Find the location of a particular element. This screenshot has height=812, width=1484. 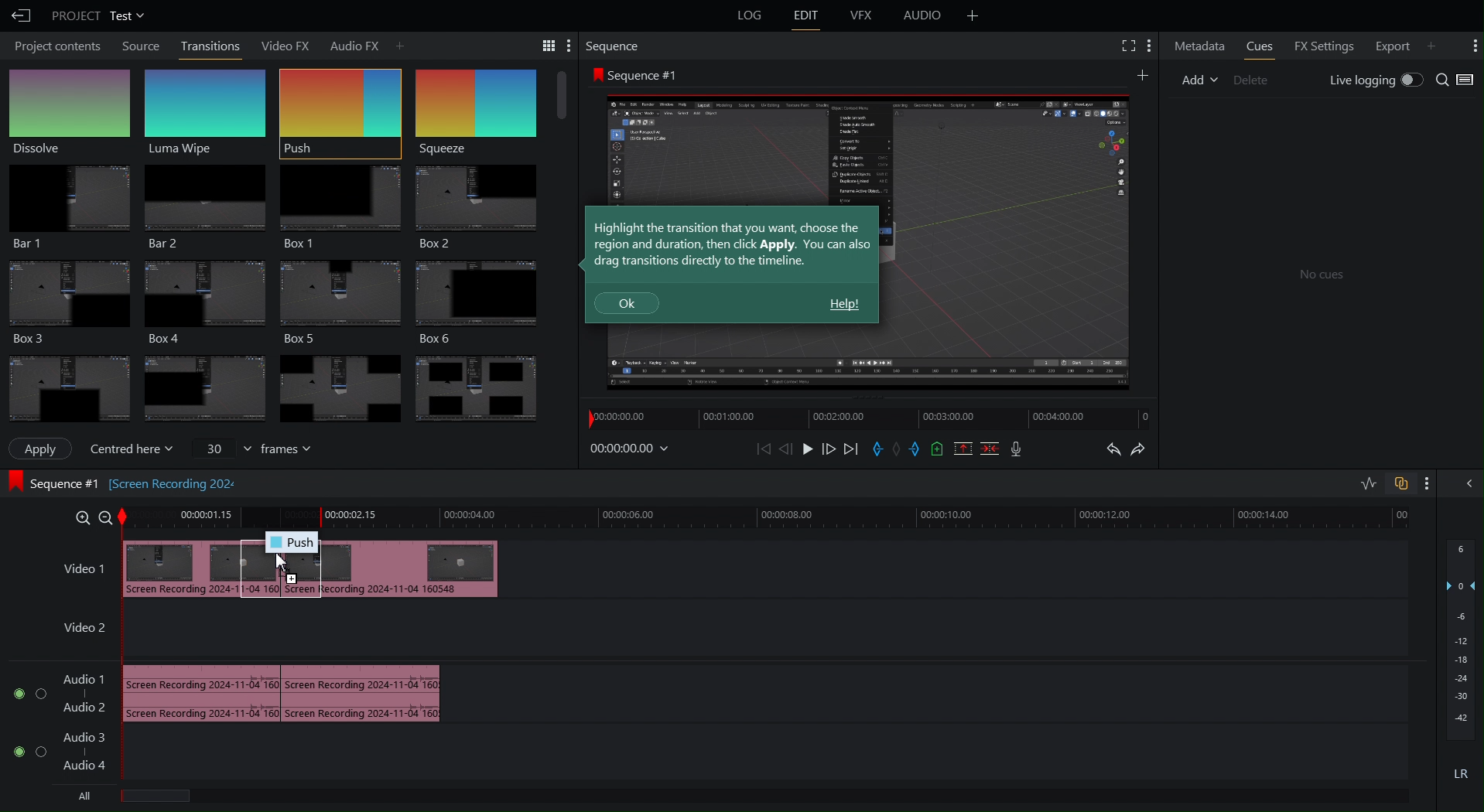

toggl is located at coordinates (40, 697).